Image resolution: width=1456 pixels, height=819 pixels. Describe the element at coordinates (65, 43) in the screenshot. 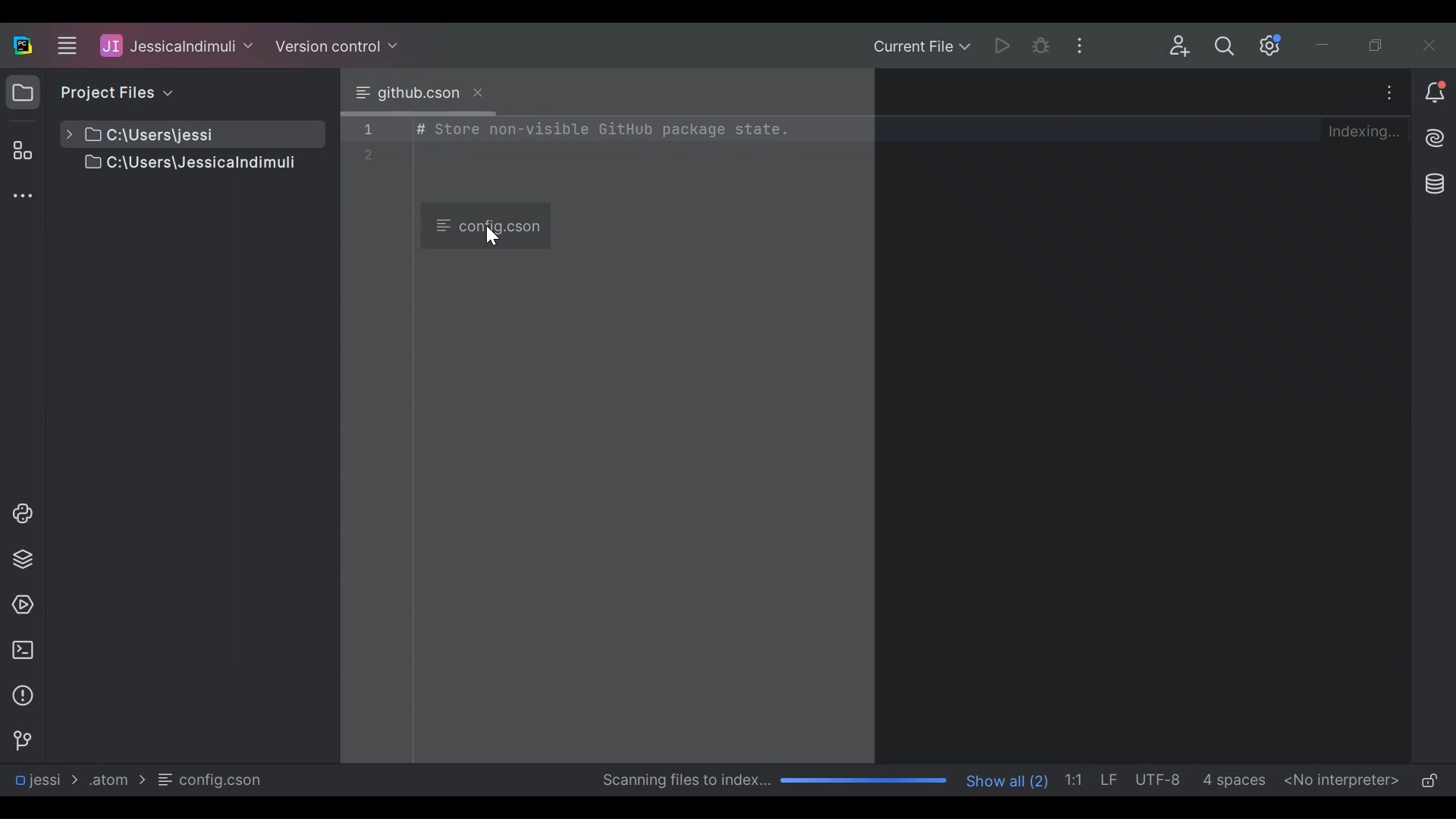

I see `Main Menu` at that location.